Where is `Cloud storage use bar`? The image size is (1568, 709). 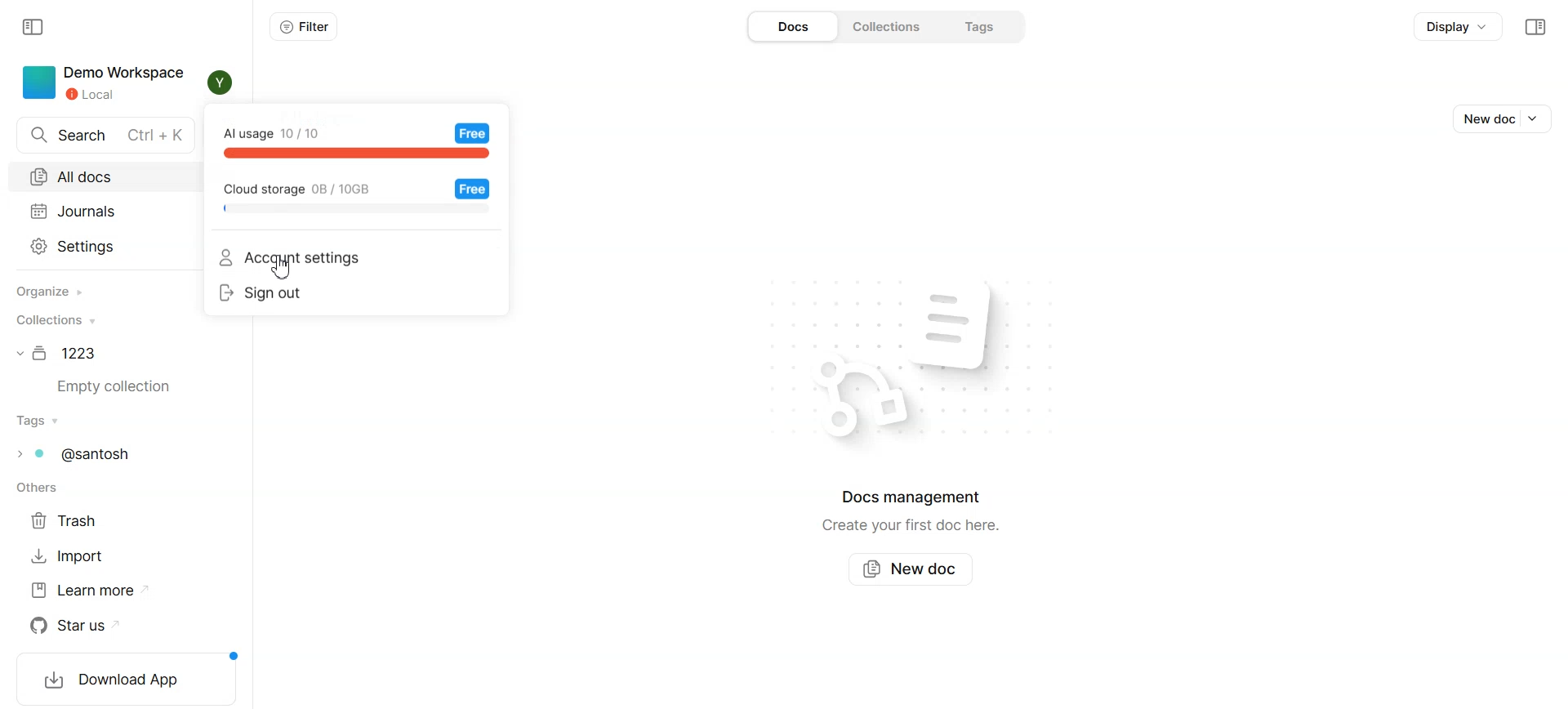
Cloud storage use bar is located at coordinates (318, 185).